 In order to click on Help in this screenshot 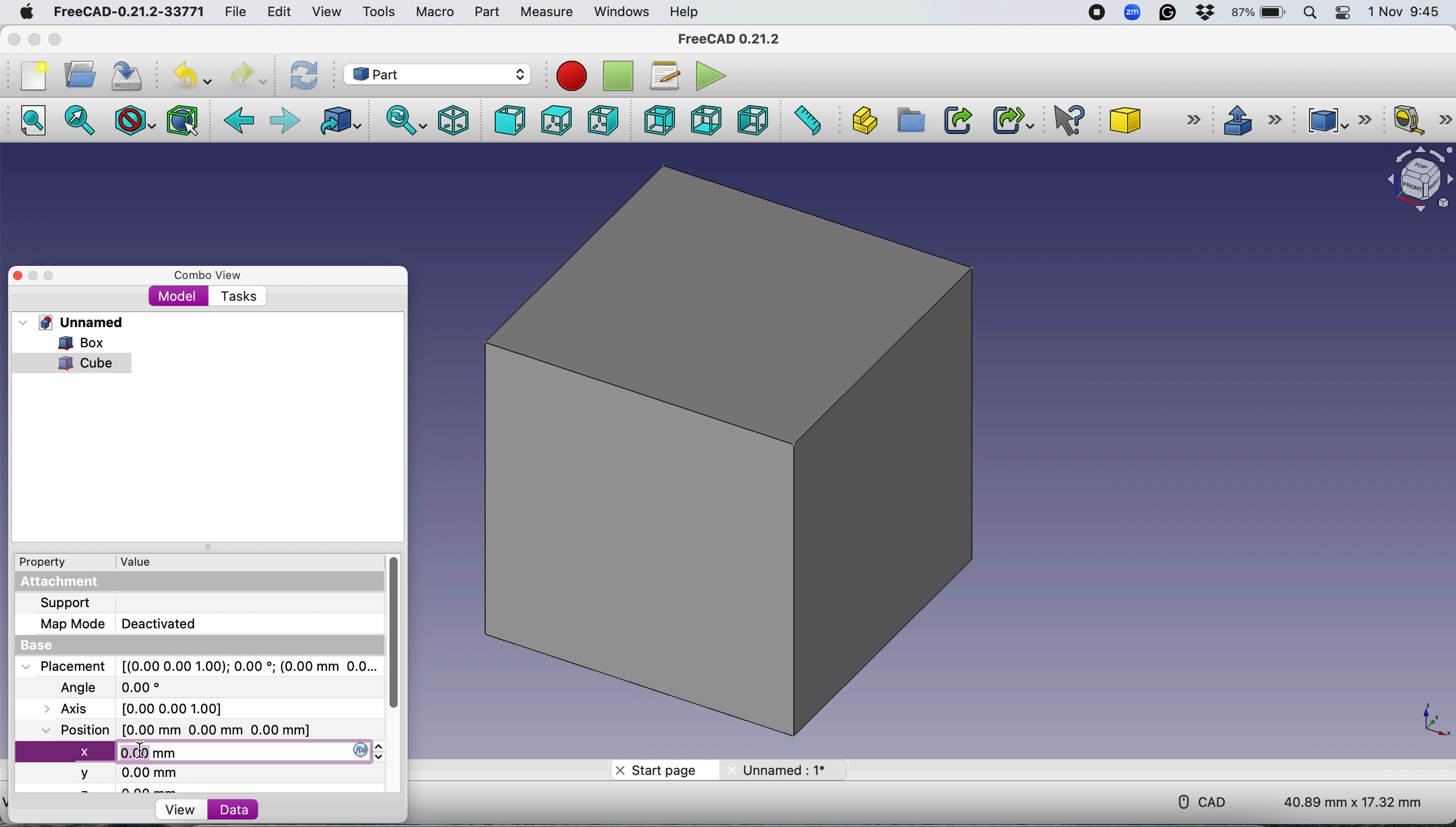, I will do `click(685, 11)`.